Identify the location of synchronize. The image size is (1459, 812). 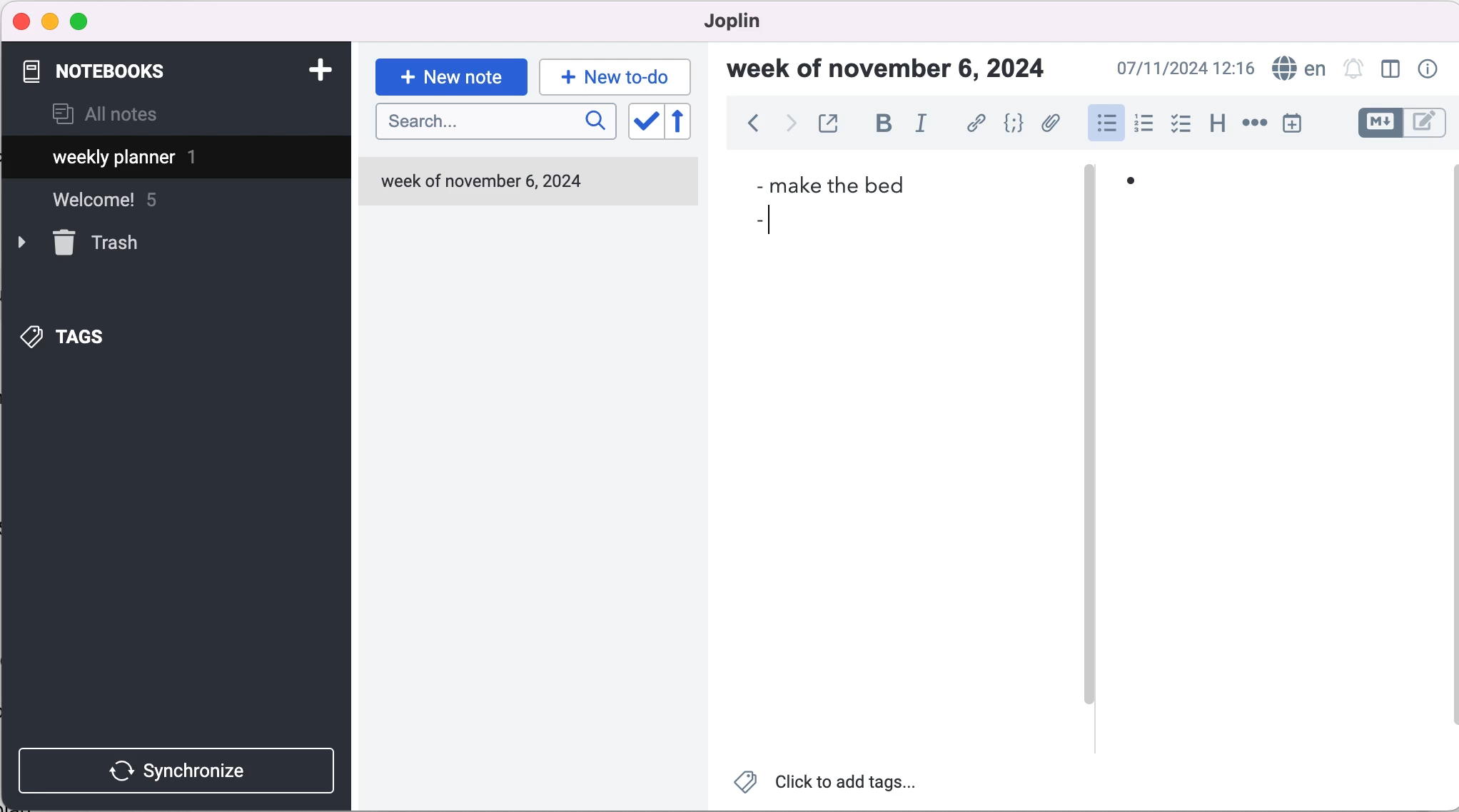
(180, 770).